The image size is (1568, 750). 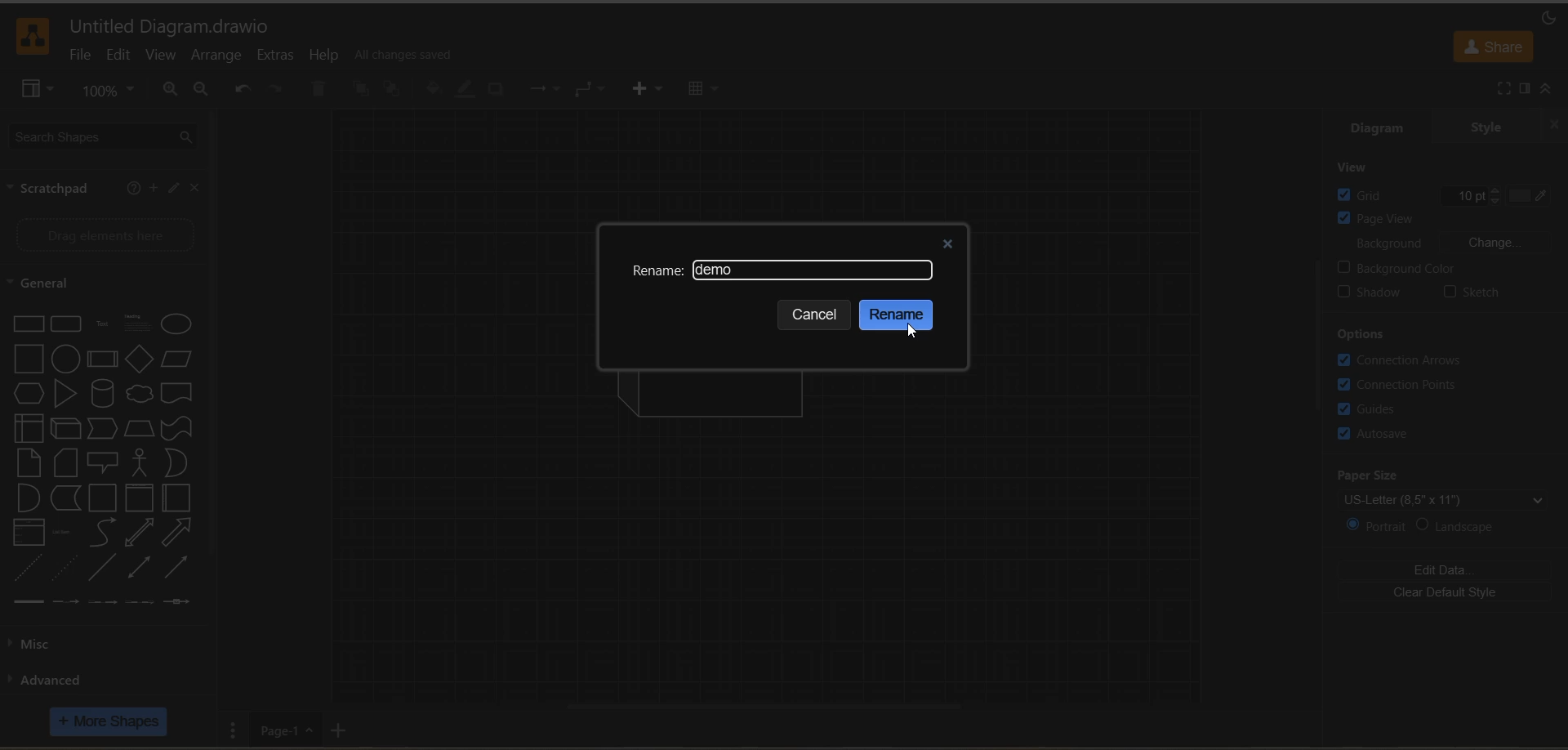 I want to click on diagram, so click(x=1377, y=130).